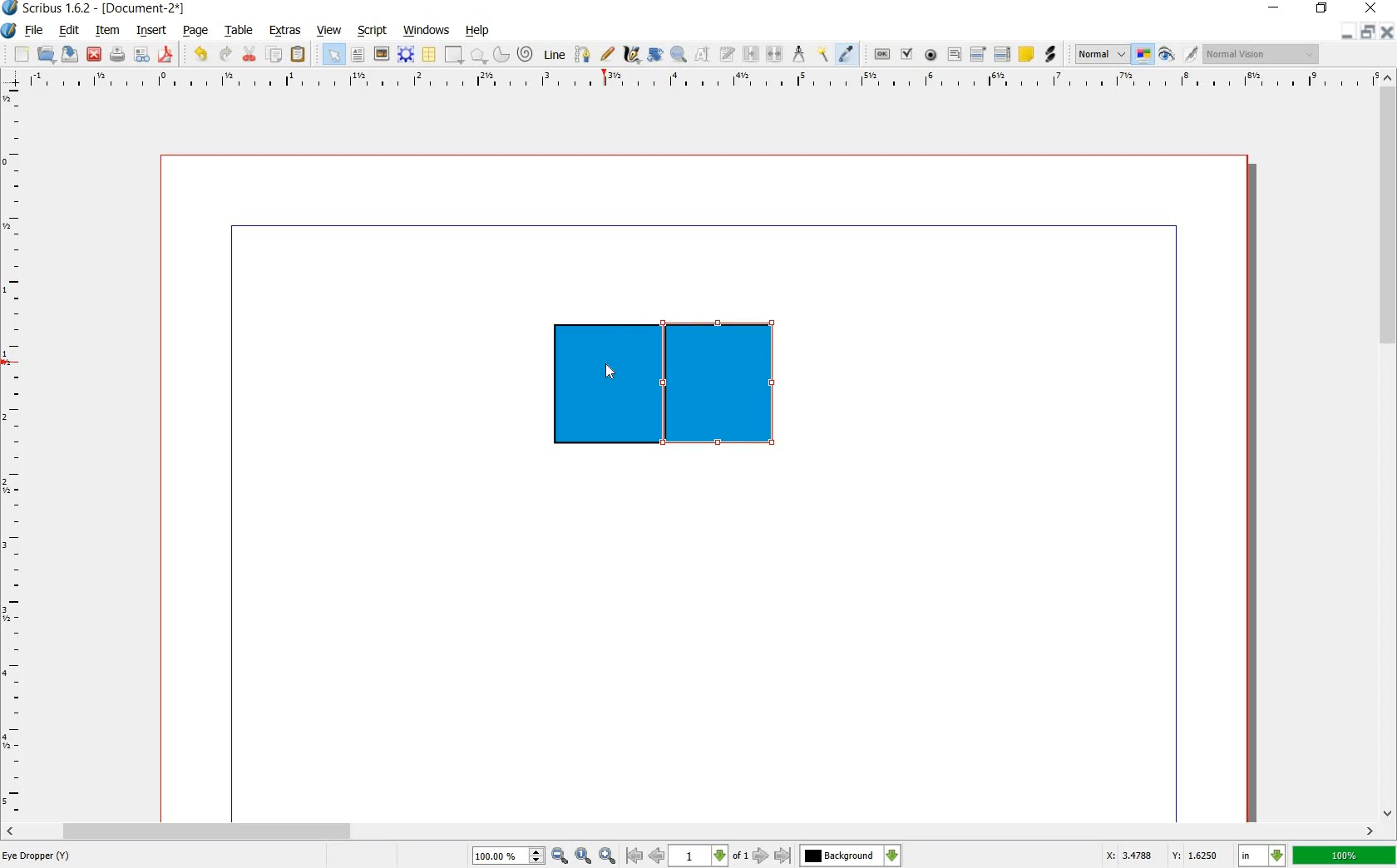  I want to click on line, so click(555, 55).